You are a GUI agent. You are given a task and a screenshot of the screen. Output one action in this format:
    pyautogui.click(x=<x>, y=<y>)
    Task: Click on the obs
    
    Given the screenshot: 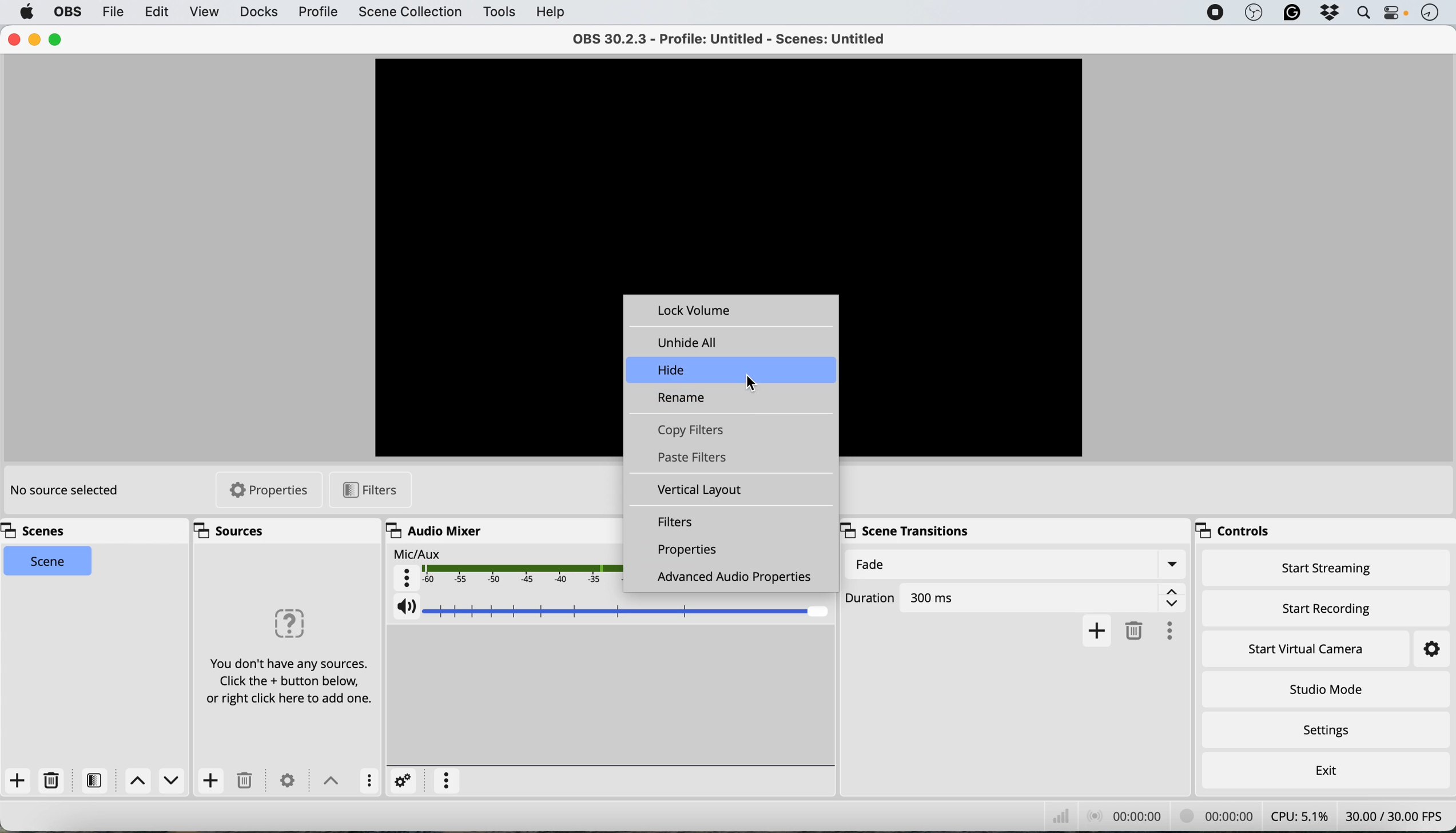 What is the action you would take?
    pyautogui.click(x=66, y=13)
    